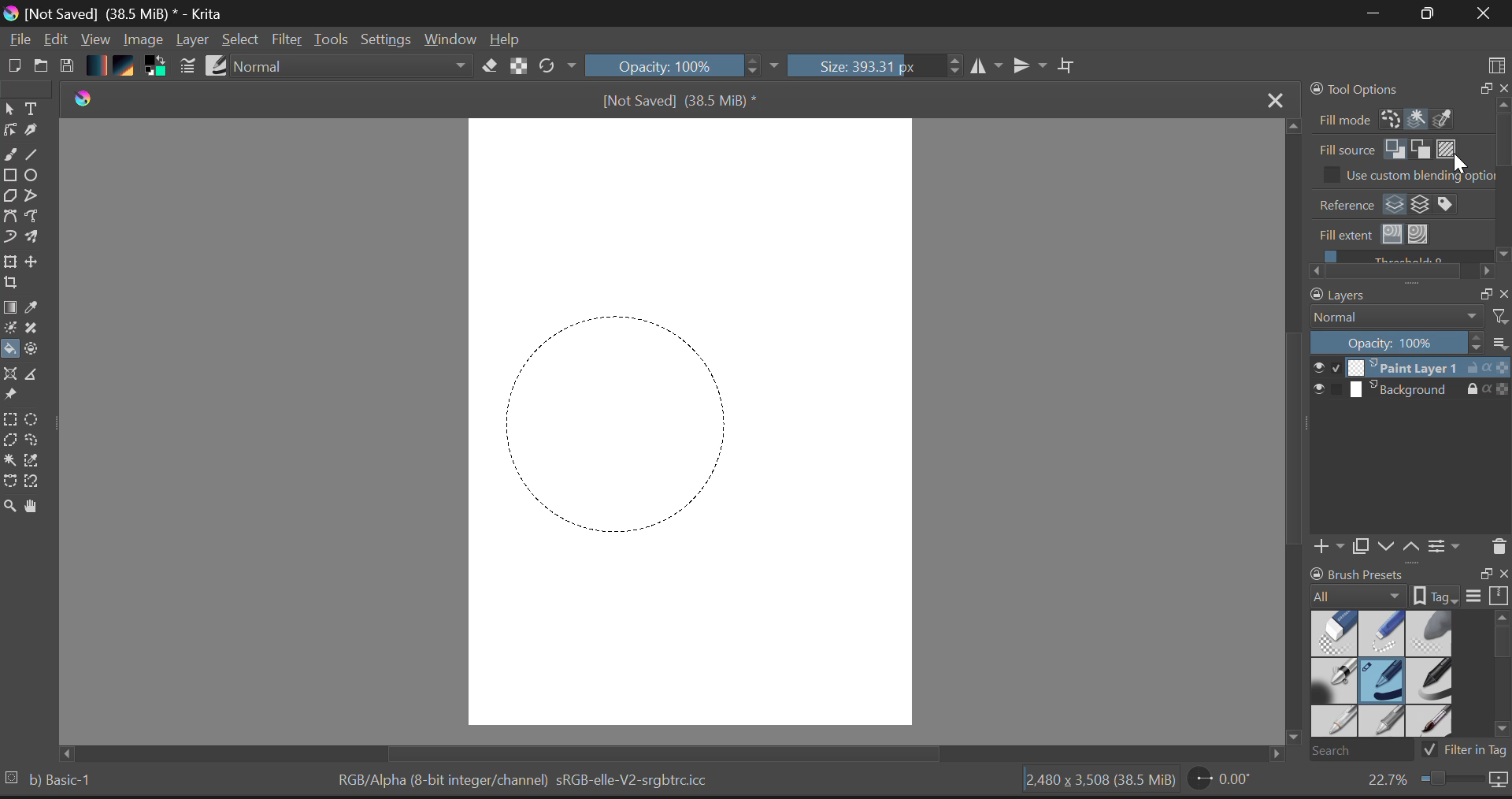  What do you see at coordinates (218, 65) in the screenshot?
I see `Brush Presets` at bounding box center [218, 65].